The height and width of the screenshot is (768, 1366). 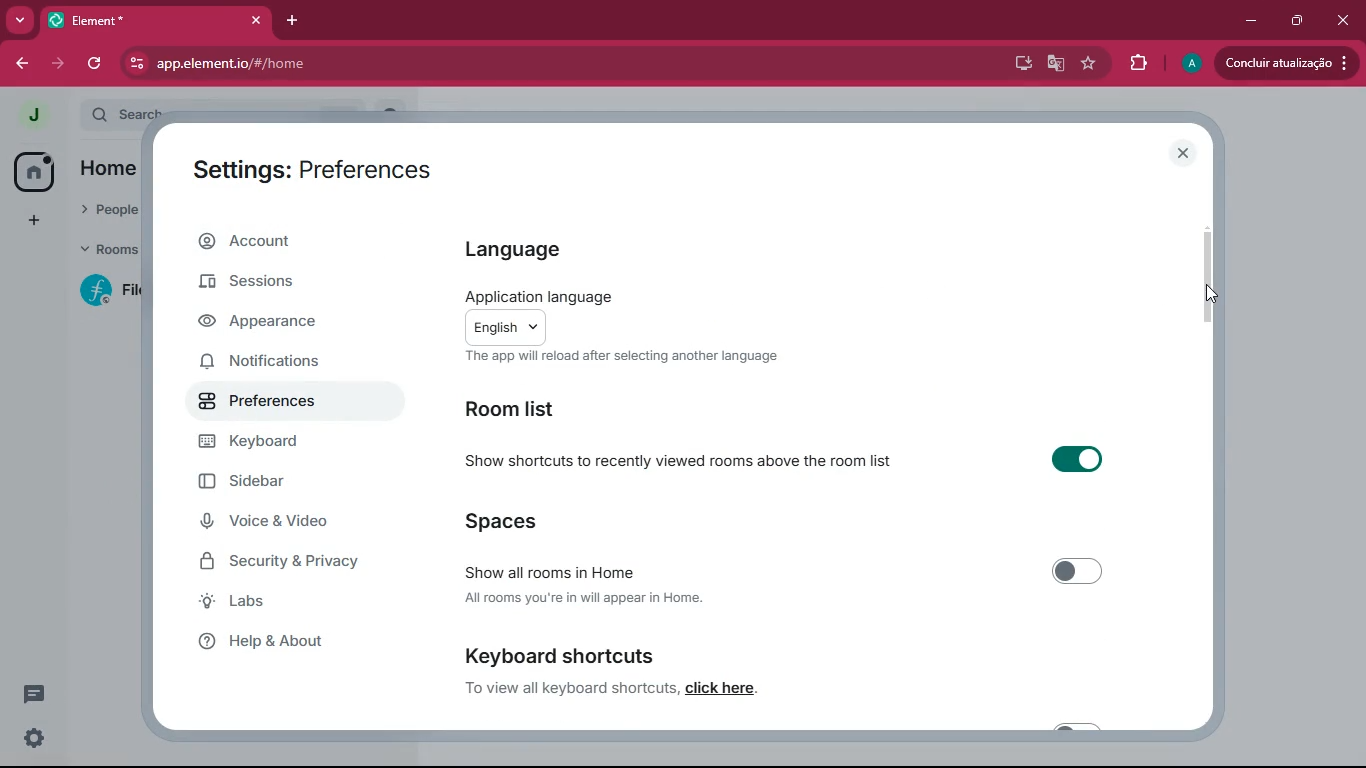 What do you see at coordinates (1211, 295) in the screenshot?
I see `cursor` at bounding box center [1211, 295].